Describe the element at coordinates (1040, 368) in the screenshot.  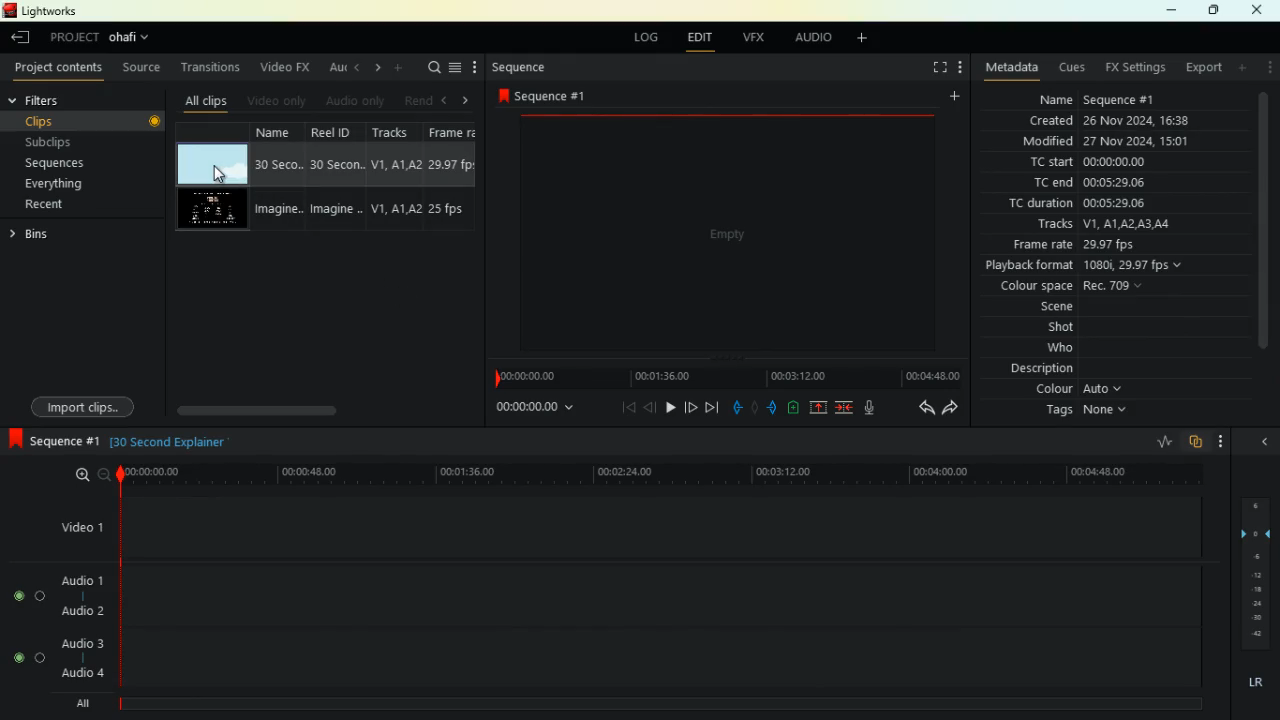
I see `description` at that location.